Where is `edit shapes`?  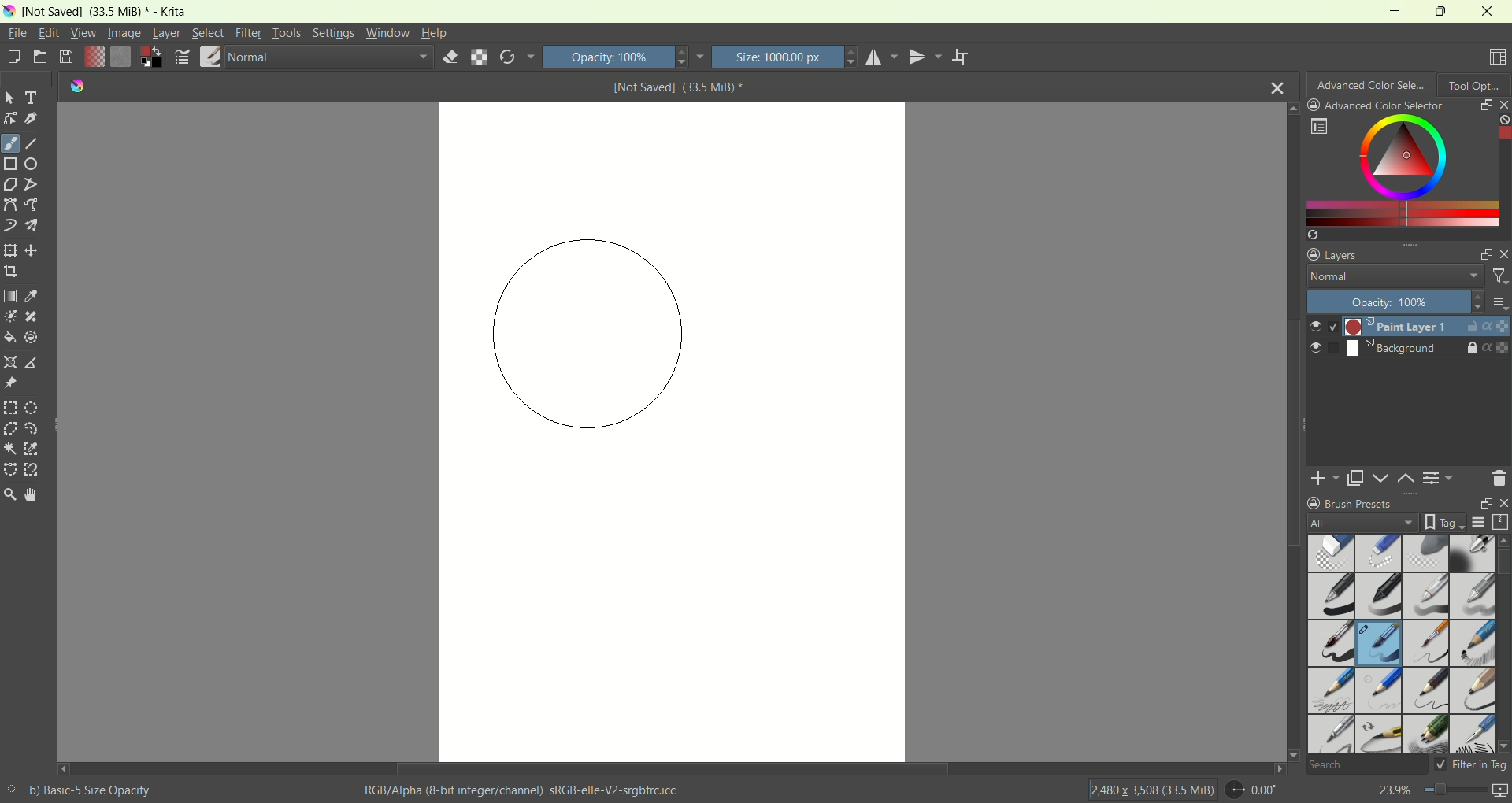
edit shapes is located at coordinates (10, 119).